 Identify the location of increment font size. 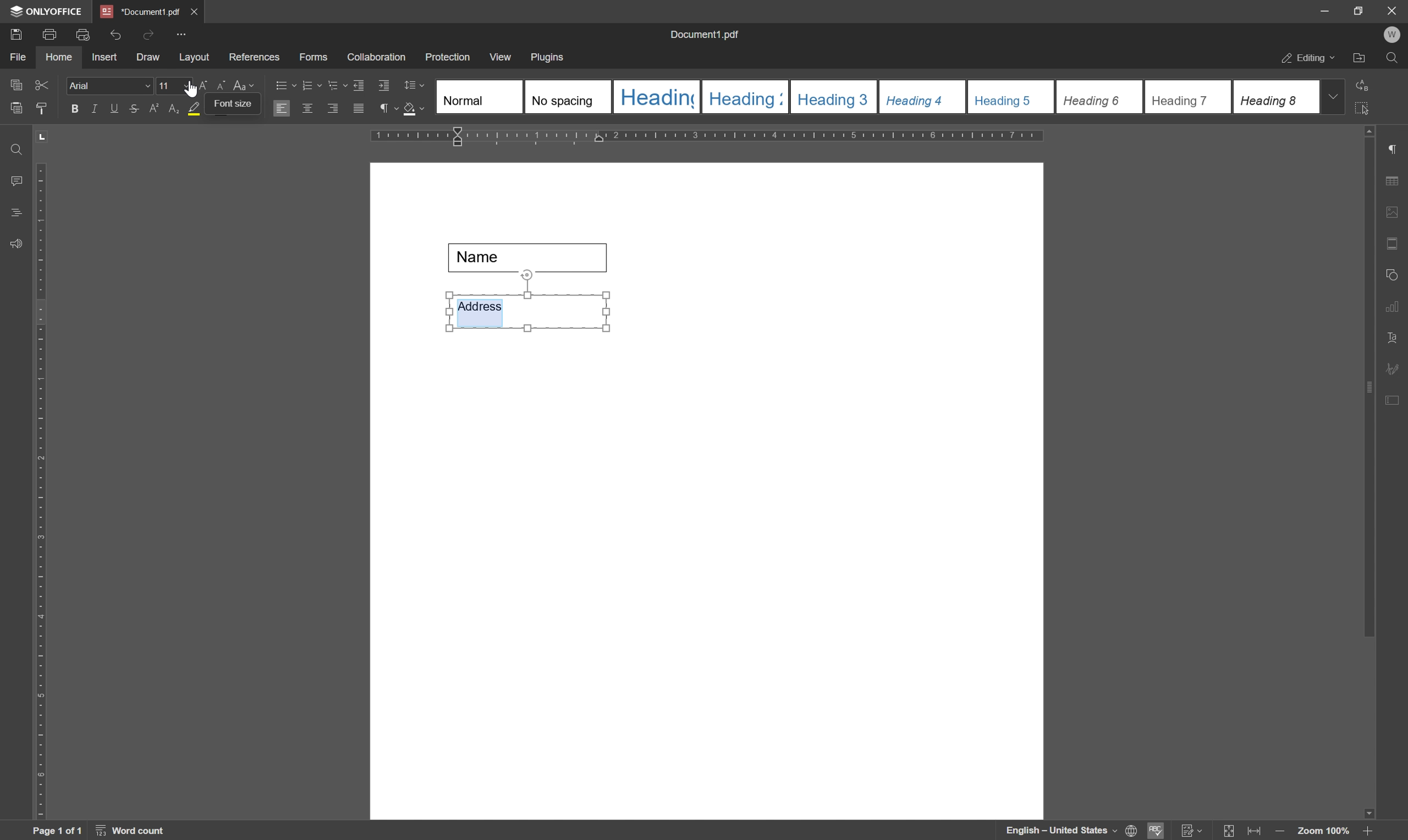
(199, 88).